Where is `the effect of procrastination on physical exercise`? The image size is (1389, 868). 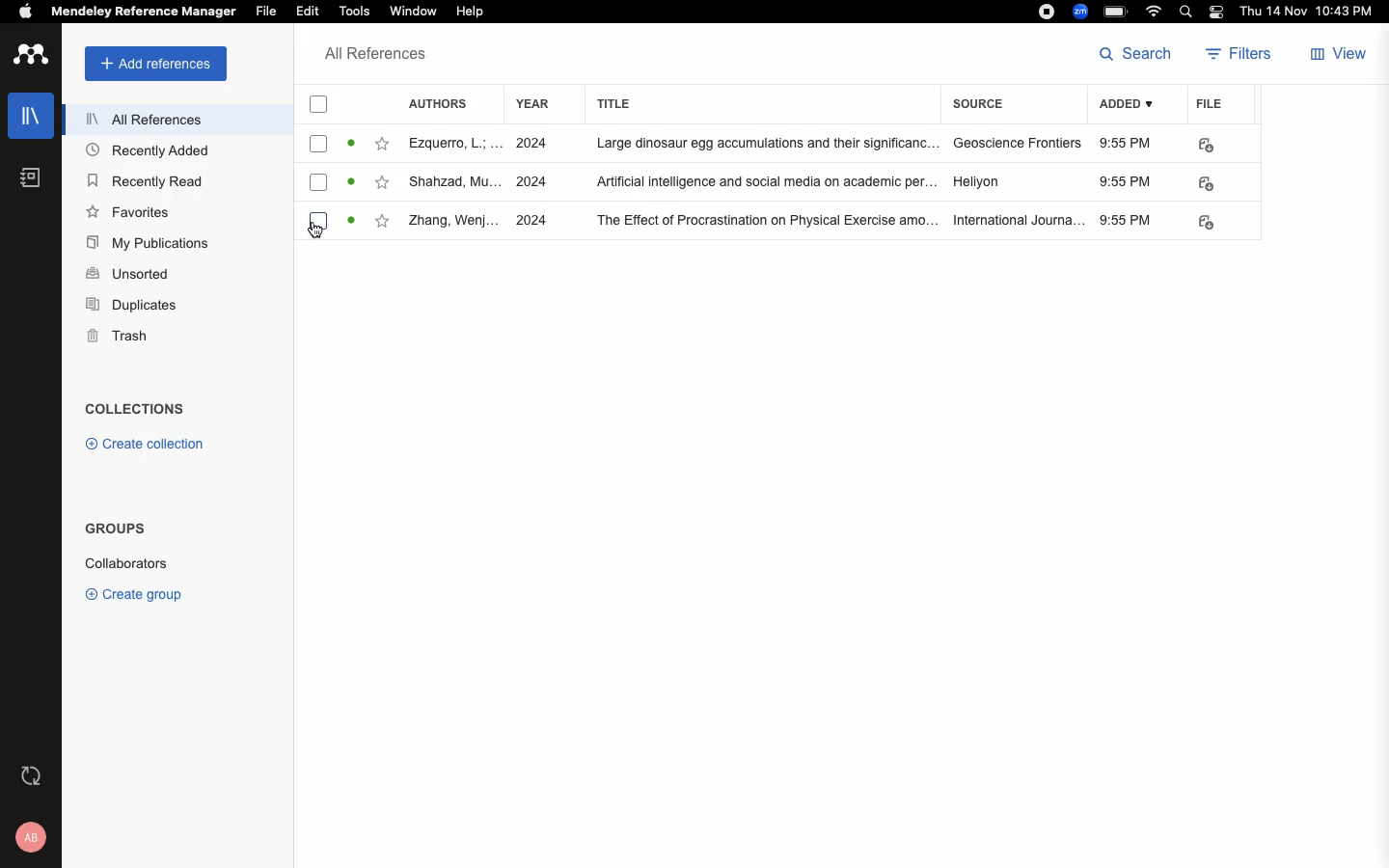 the effect of procrastination on physical exercise is located at coordinates (762, 222).